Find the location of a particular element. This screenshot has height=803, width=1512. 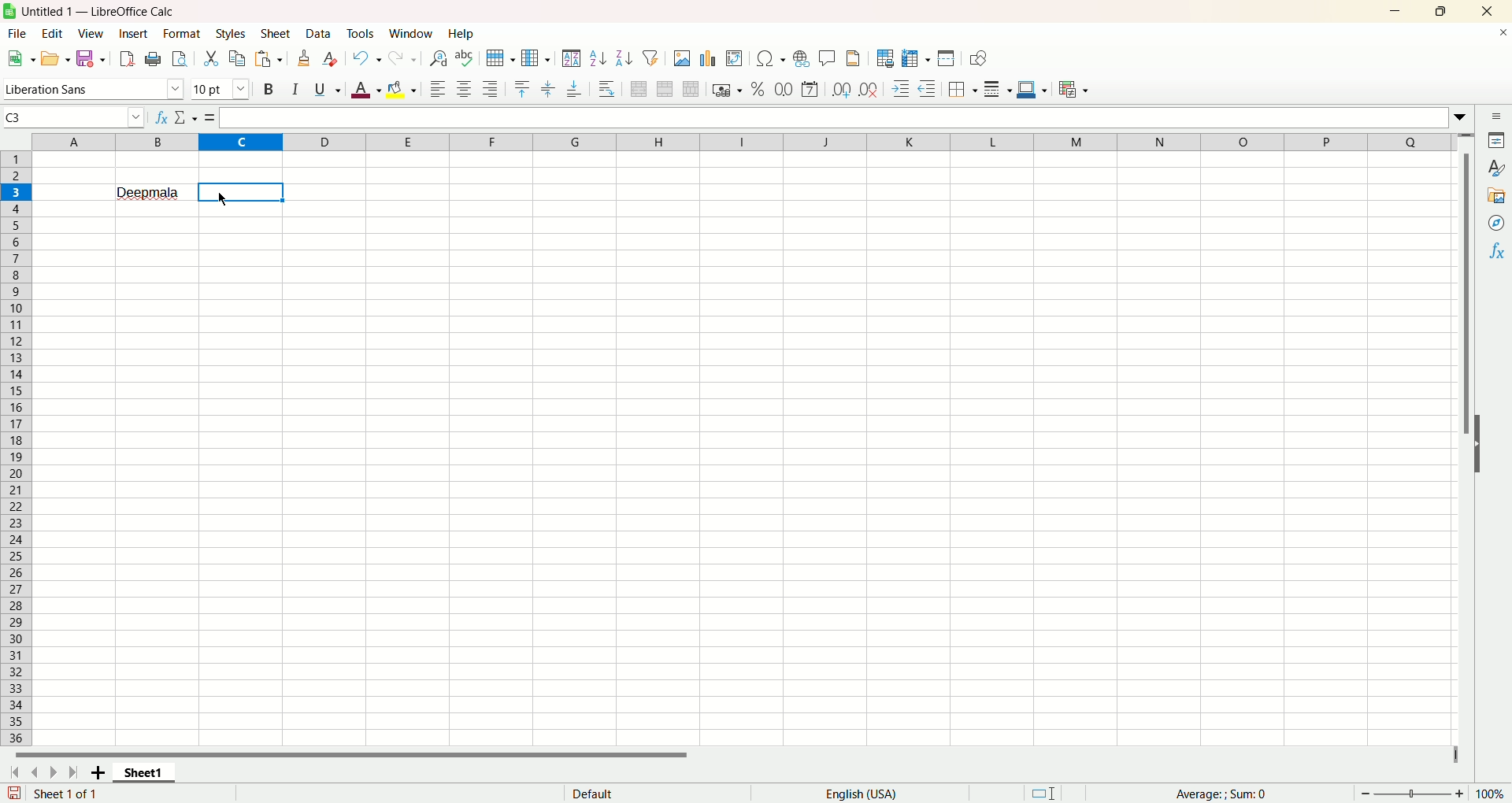

Increase indent is located at coordinates (900, 89).